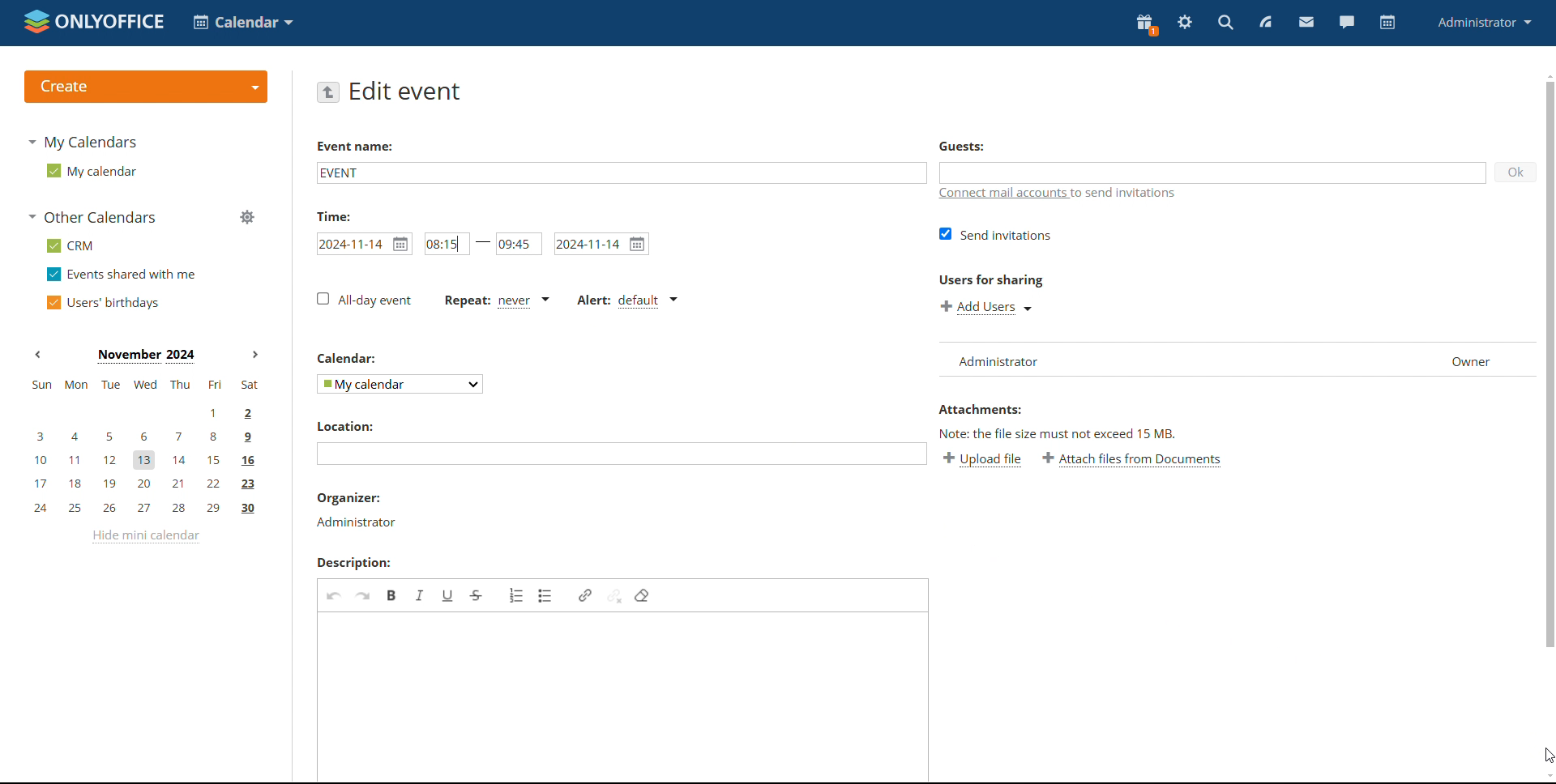  I want to click on 1, 2, so click(144, 411).